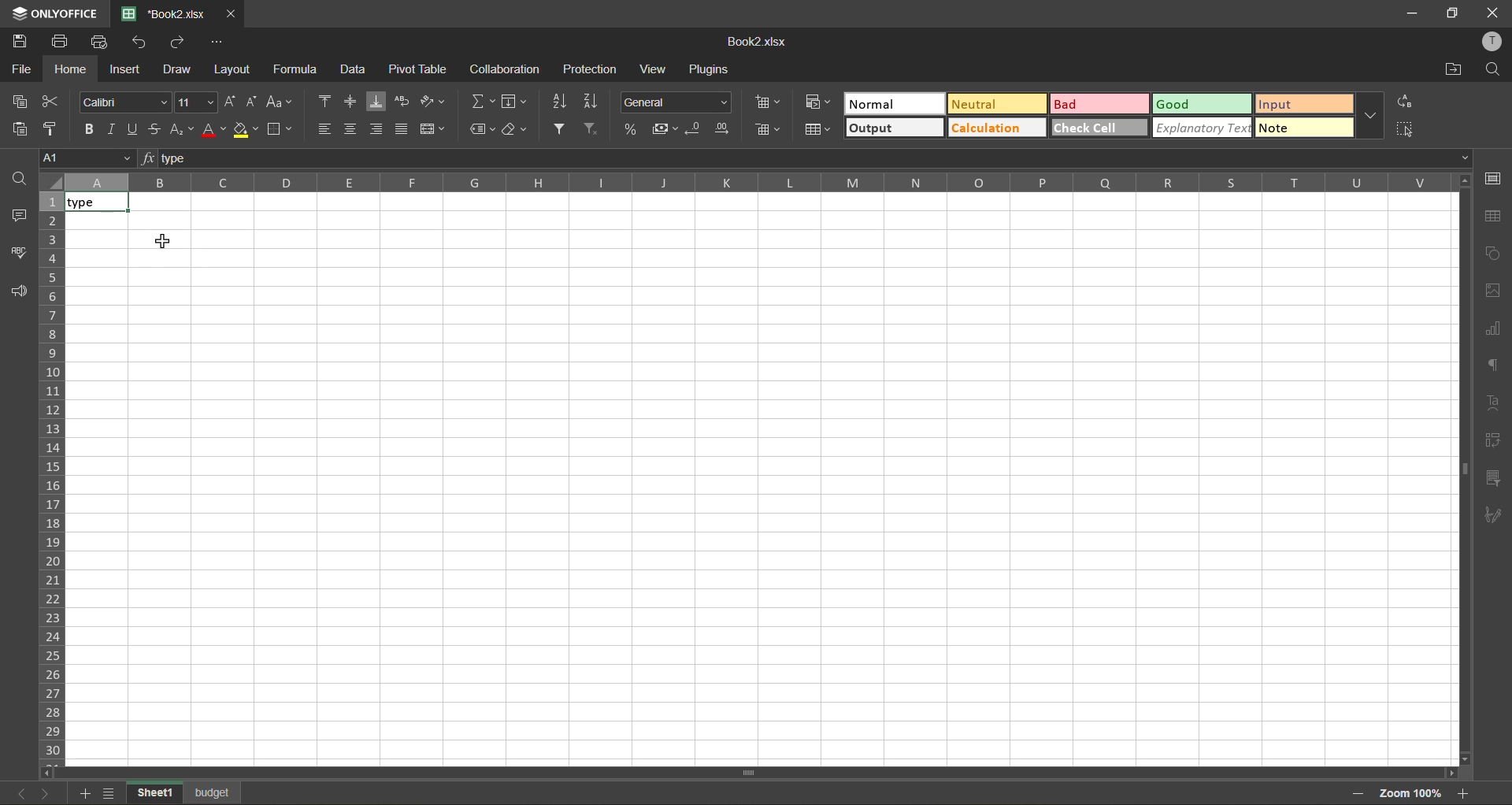 The height and width of the screenshot is (805, 1512). I want to click on sub/superscript, so click(183, 131).